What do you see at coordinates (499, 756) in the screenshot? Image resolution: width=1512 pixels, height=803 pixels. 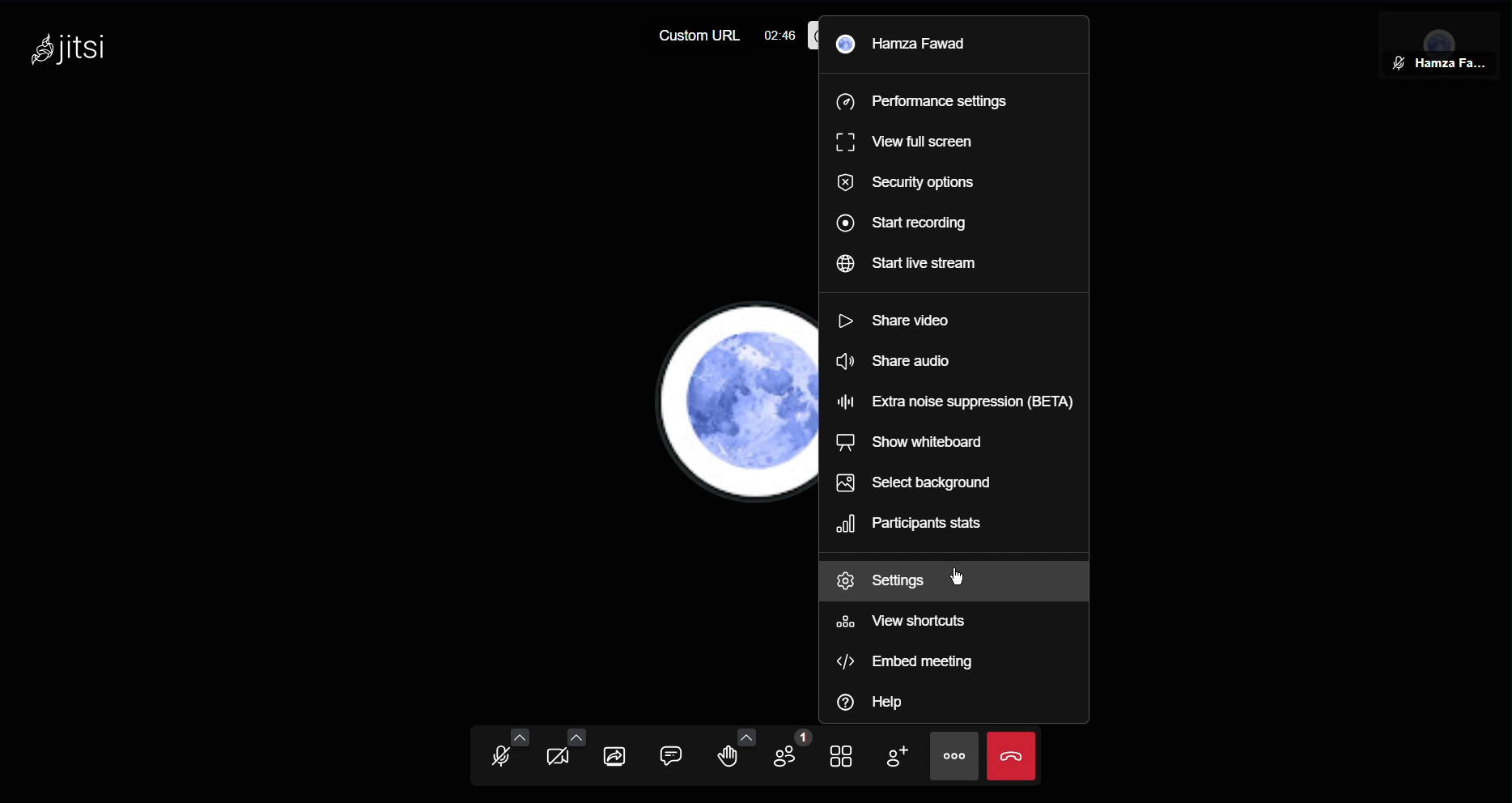 I see `Audio` at bounding box center [499, 756].